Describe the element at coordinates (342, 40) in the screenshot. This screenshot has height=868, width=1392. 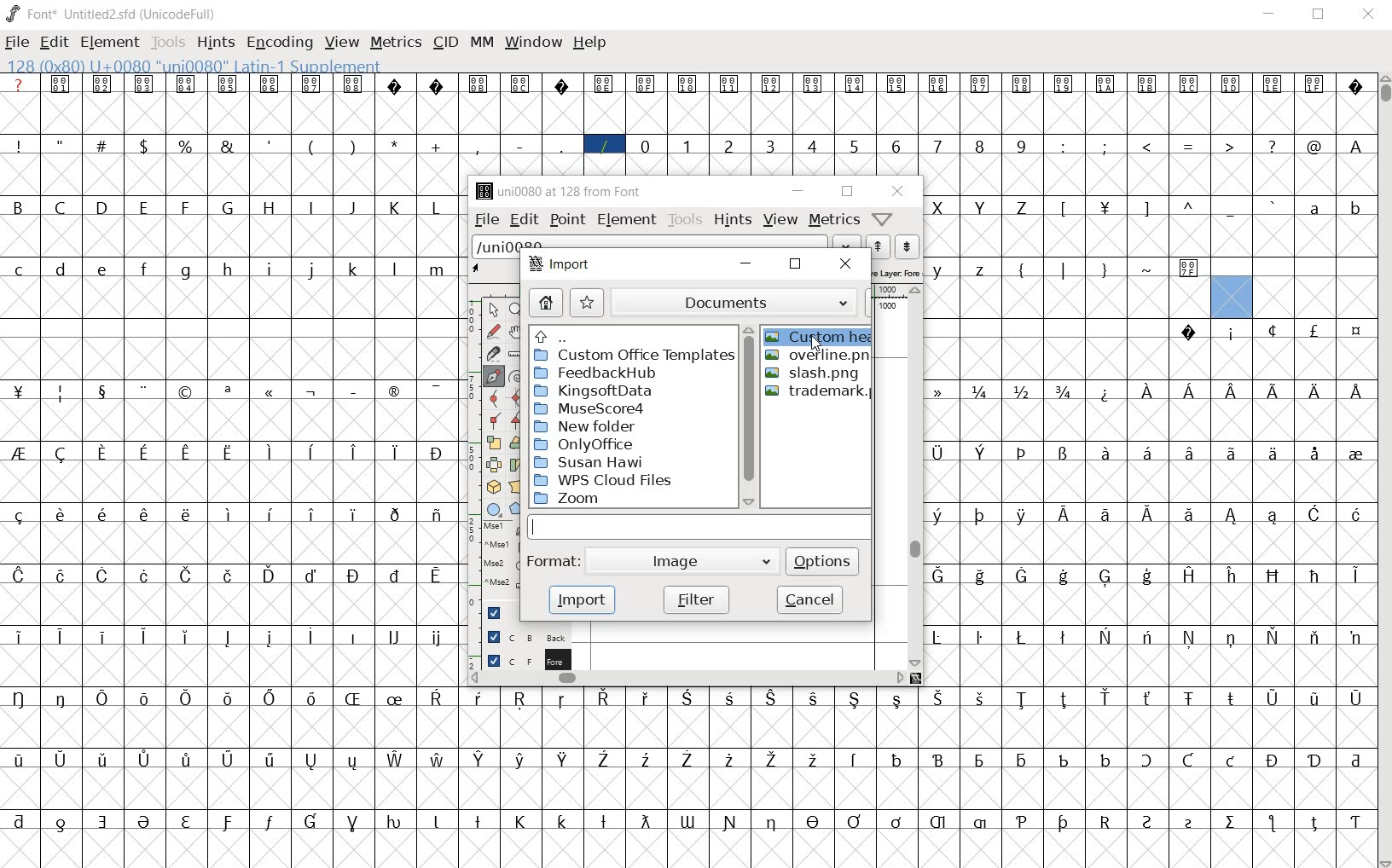
I see `VIEW` at that location.